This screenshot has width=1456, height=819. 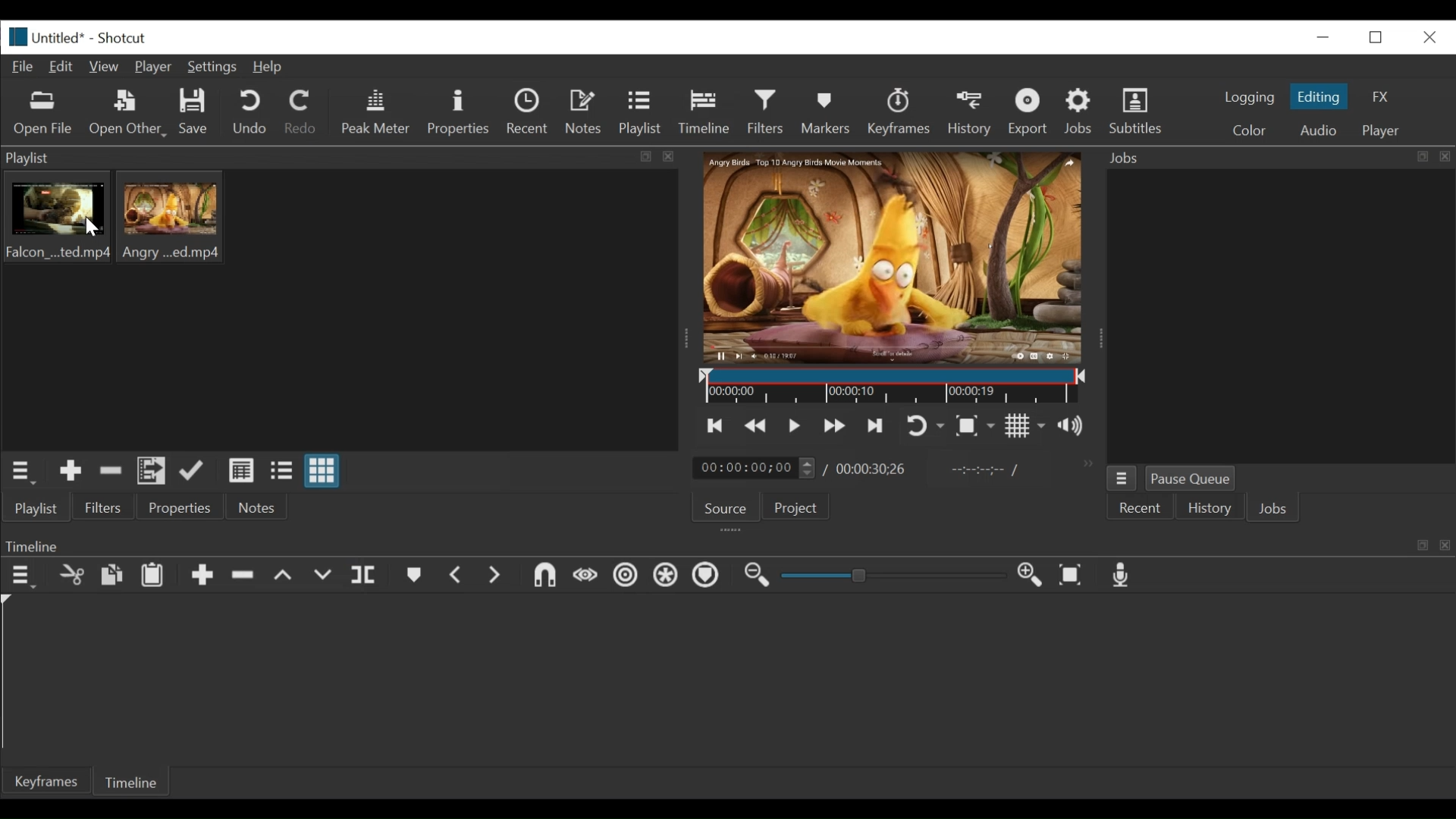 What do you see at coordinates (1381, 97) in the screenshot?
I see `FX` at bounding box center [1381, 97].